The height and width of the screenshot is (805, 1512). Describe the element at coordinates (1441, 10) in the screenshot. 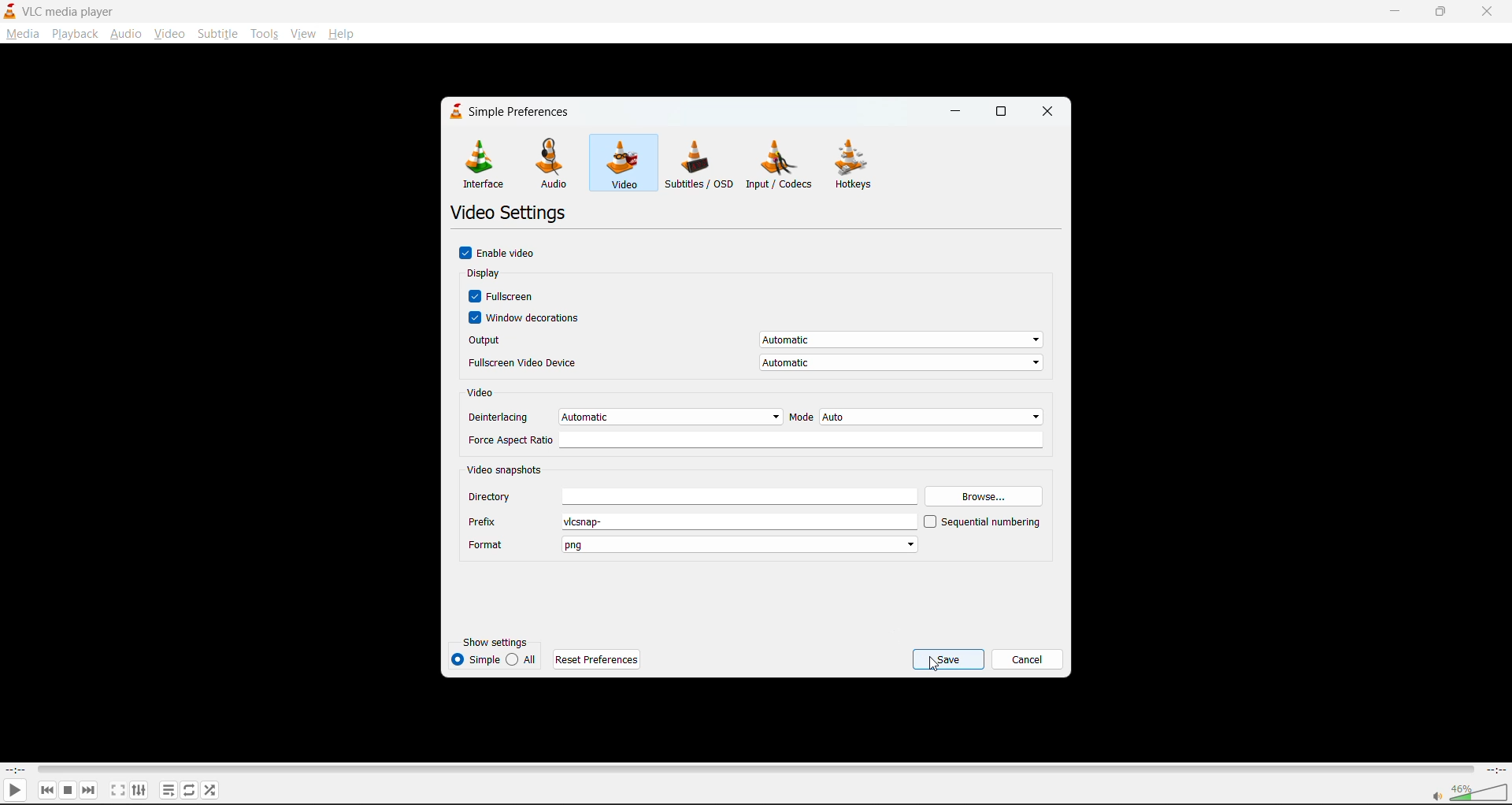

I see `maximize` at that location.